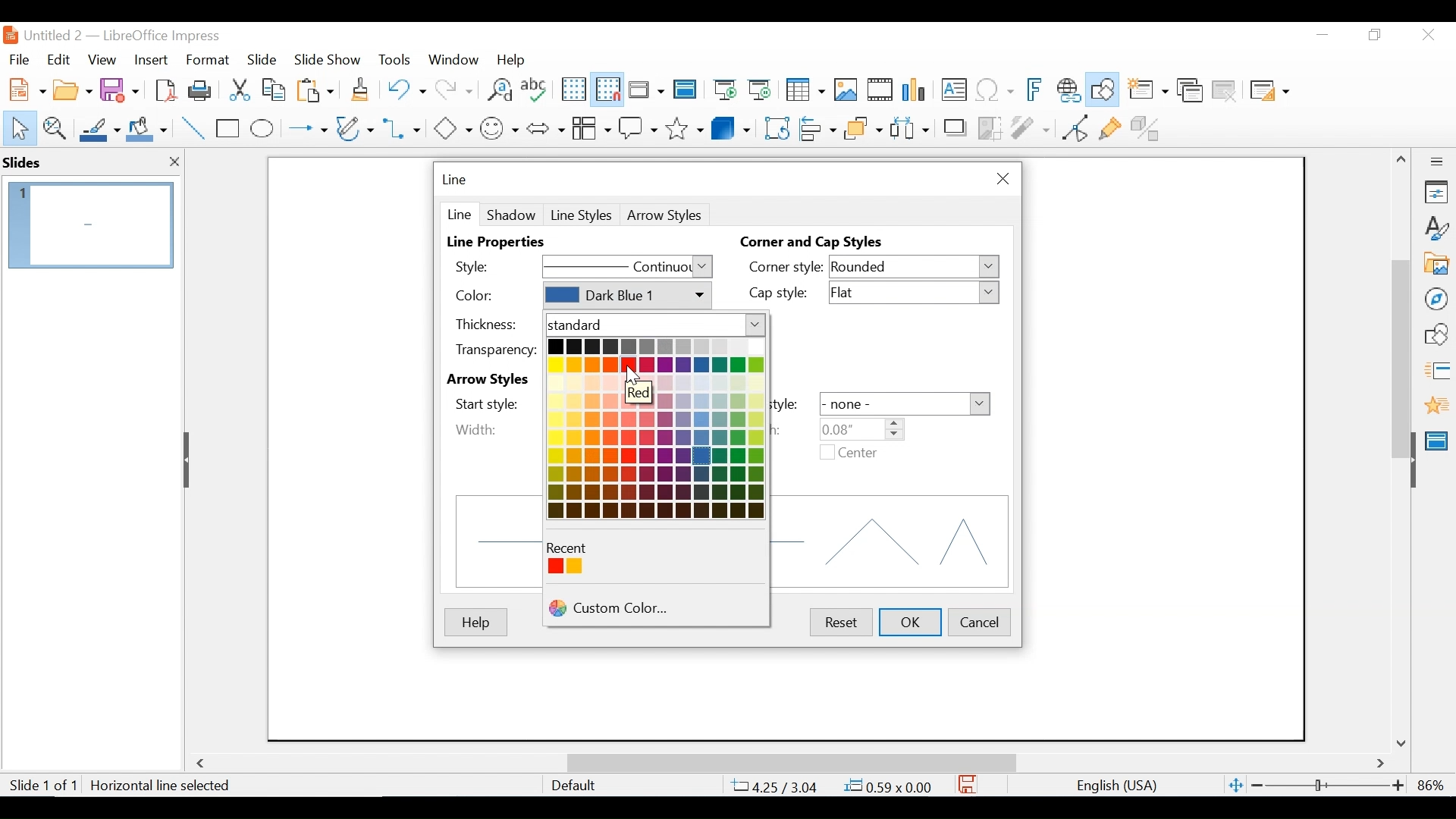  I want to click on Window, so click(453, 59).